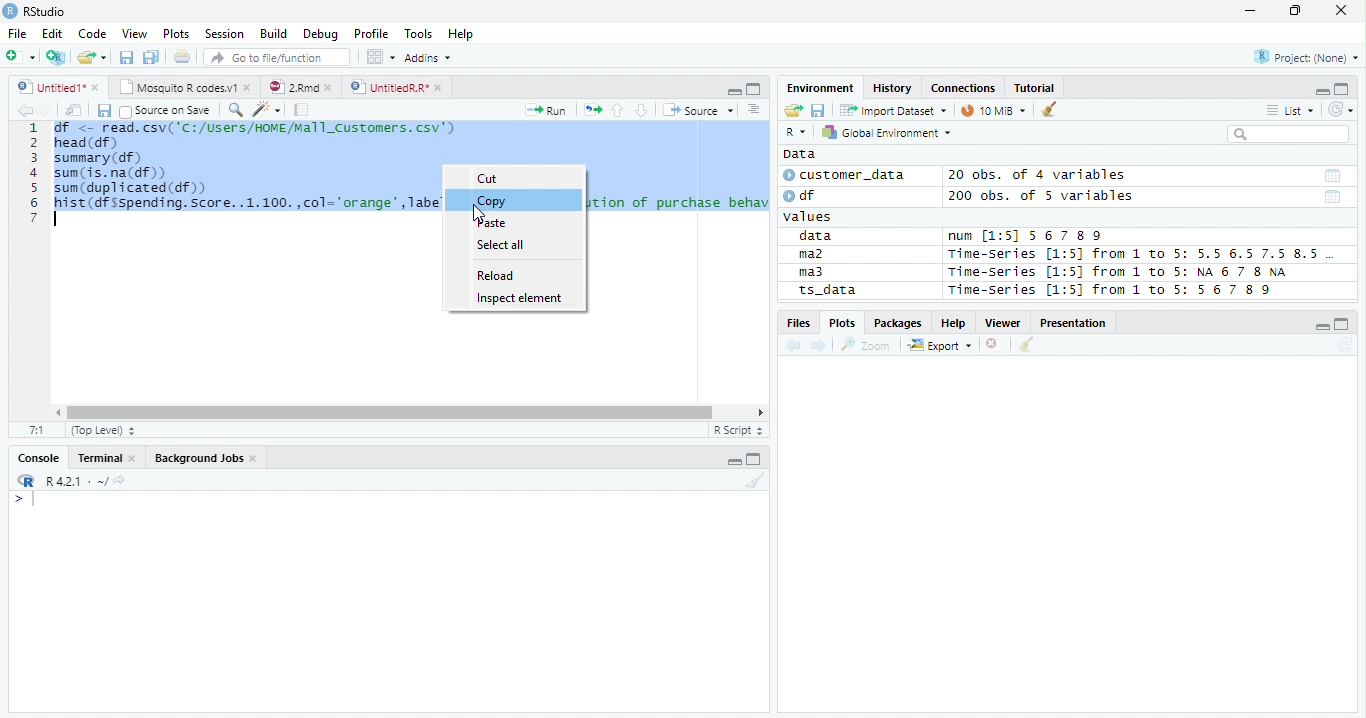  Describe the element at coordinates (818, 109) in the screenshot. I see `Save` at that location.